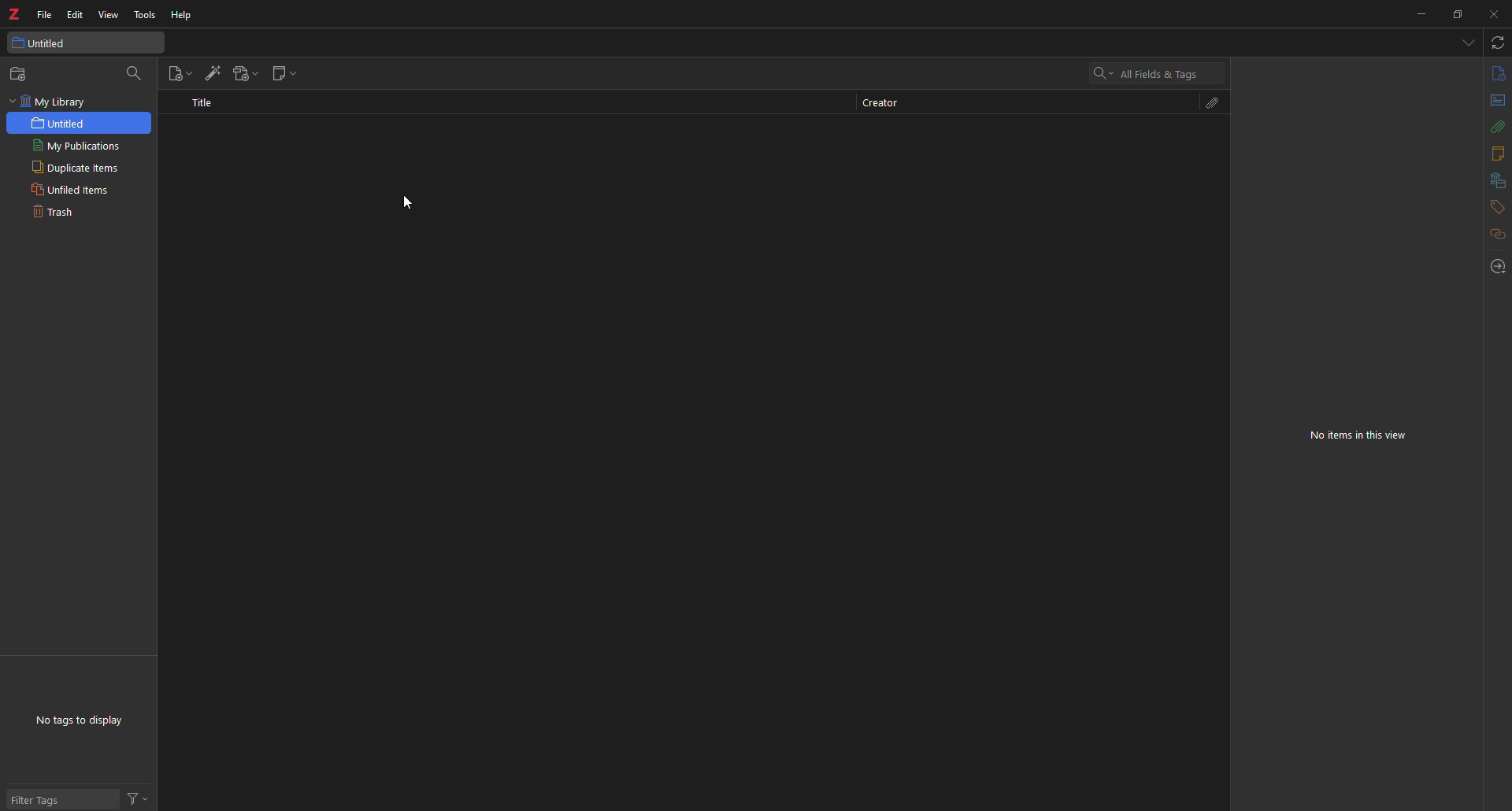  I want to click on info, so click(1497, 73).